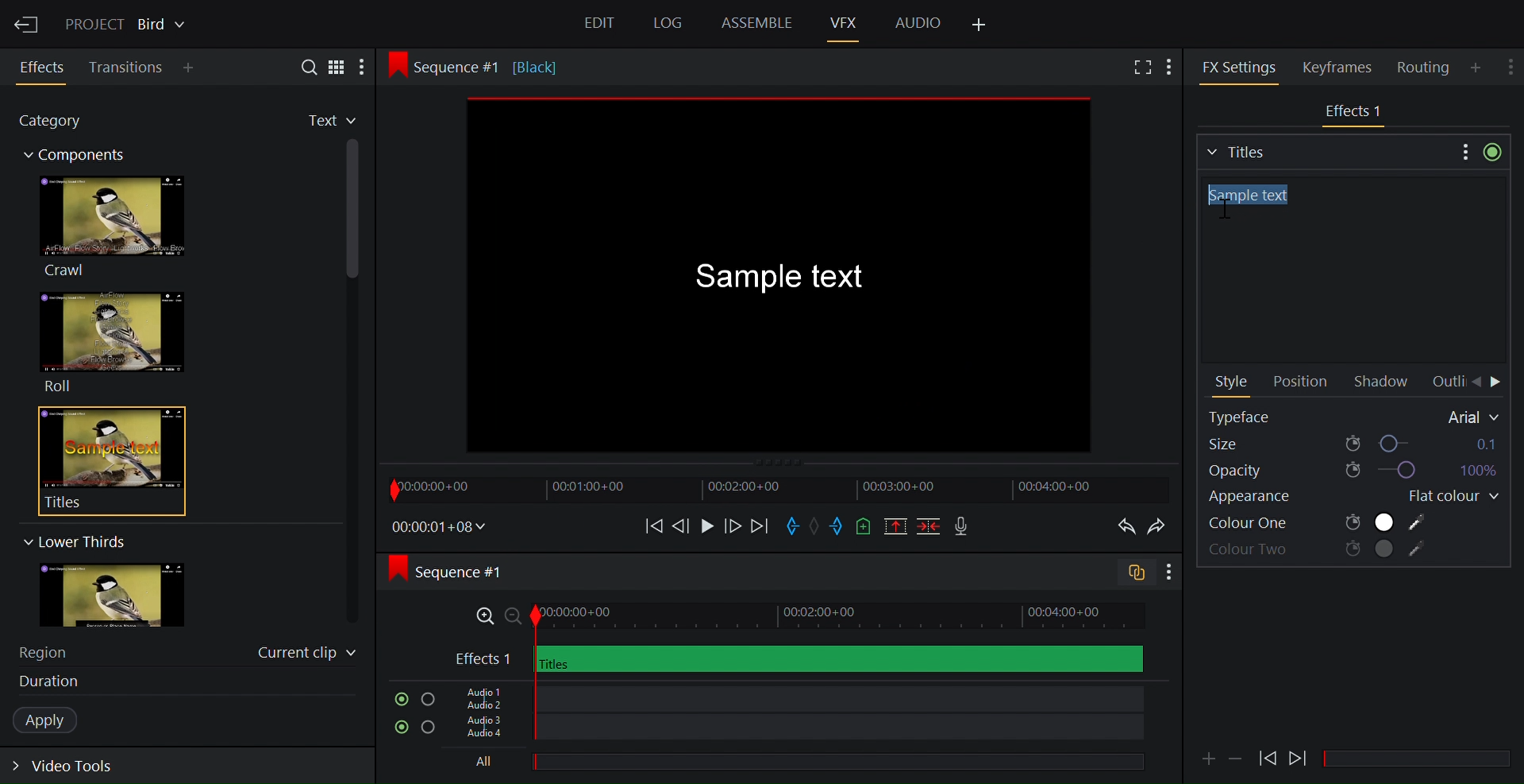  I want to click on Category, so click(59, 123).